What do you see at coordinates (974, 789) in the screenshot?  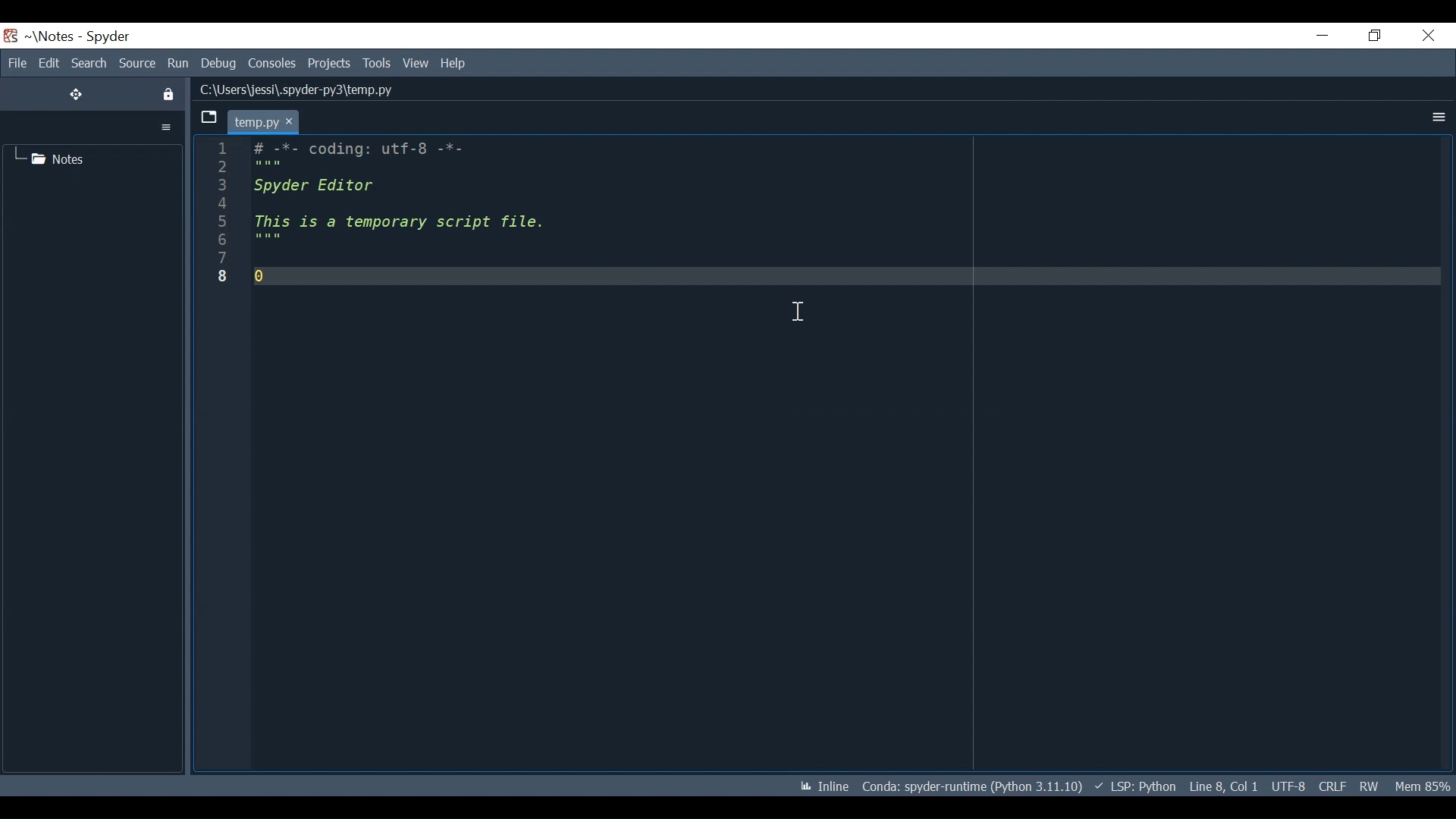 I see `Coda: spyder-runtime (Python 3.11.10)` at bounding box center [974, 789].